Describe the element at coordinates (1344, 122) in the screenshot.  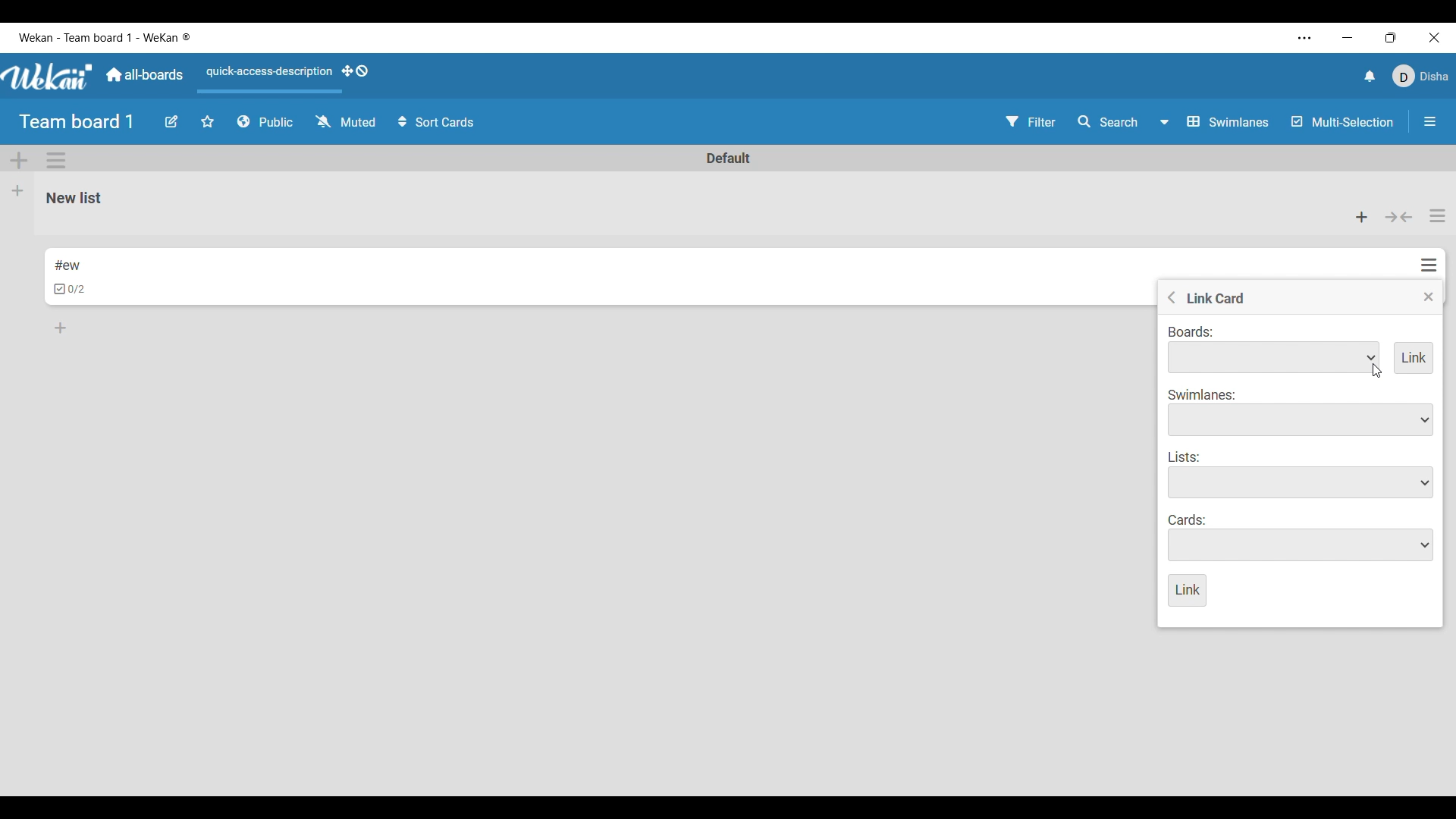
I see `Multi-Selection` at that location.